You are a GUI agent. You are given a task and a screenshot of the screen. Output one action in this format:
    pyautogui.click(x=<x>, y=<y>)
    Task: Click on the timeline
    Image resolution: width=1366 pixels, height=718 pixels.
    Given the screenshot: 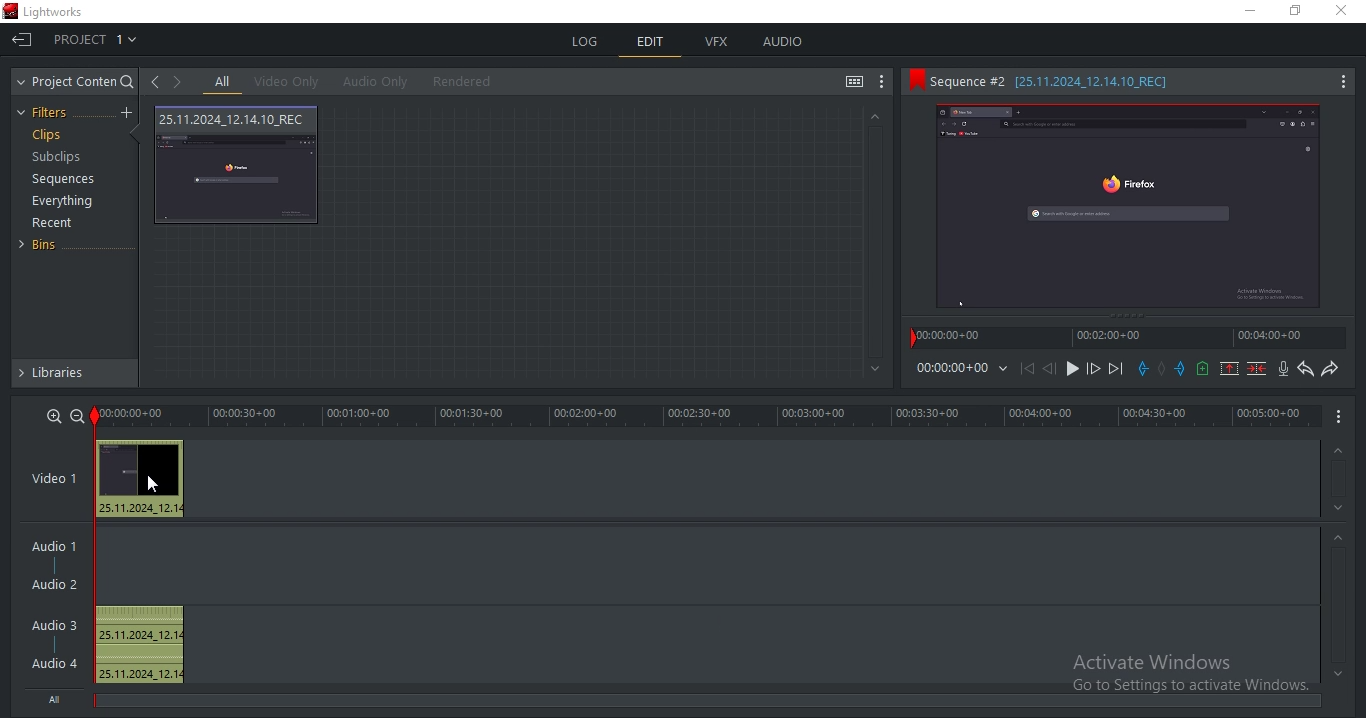 What is the action you would take?
    pyautogui.click(x=1130, y=341)
    